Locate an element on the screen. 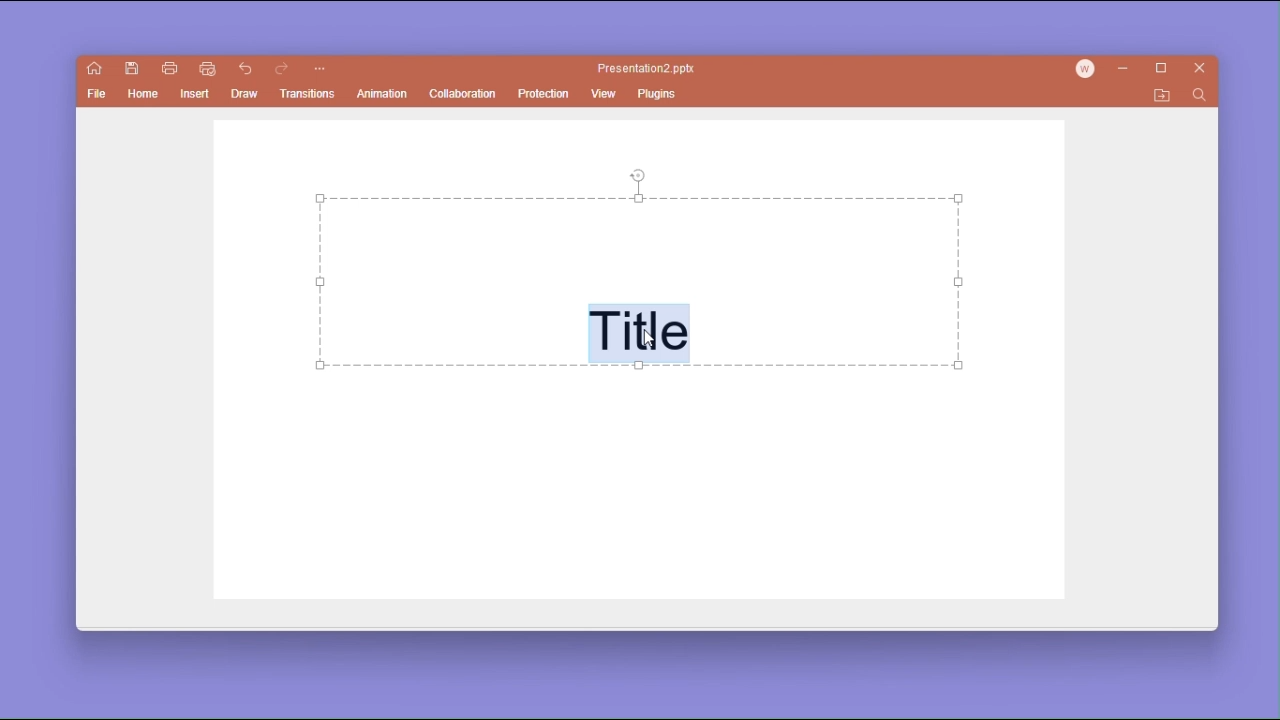  find is located at coordinates (1198, 96).